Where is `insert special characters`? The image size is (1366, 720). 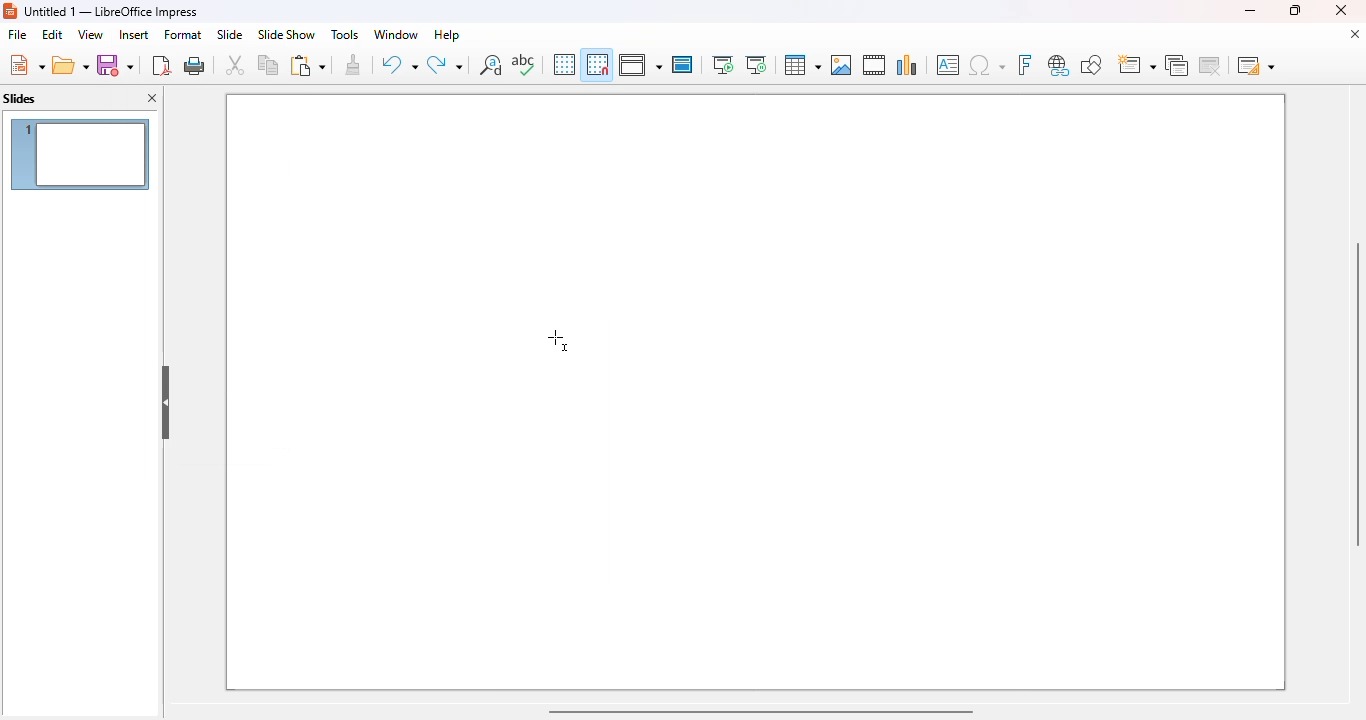 insert special characters is located at coordinates (987, 65).